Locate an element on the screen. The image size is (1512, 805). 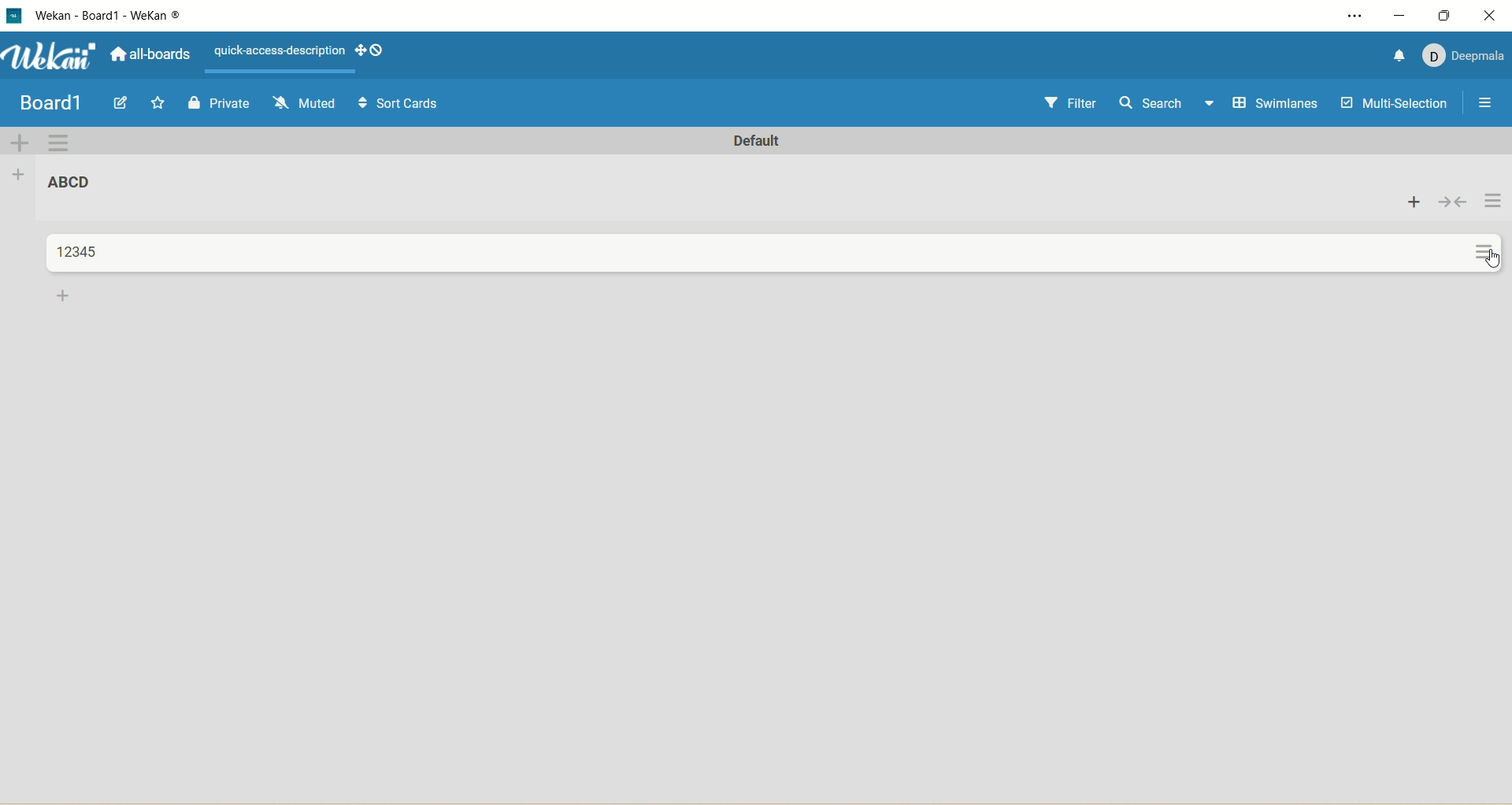
add card is located at coordinates (65, 298).